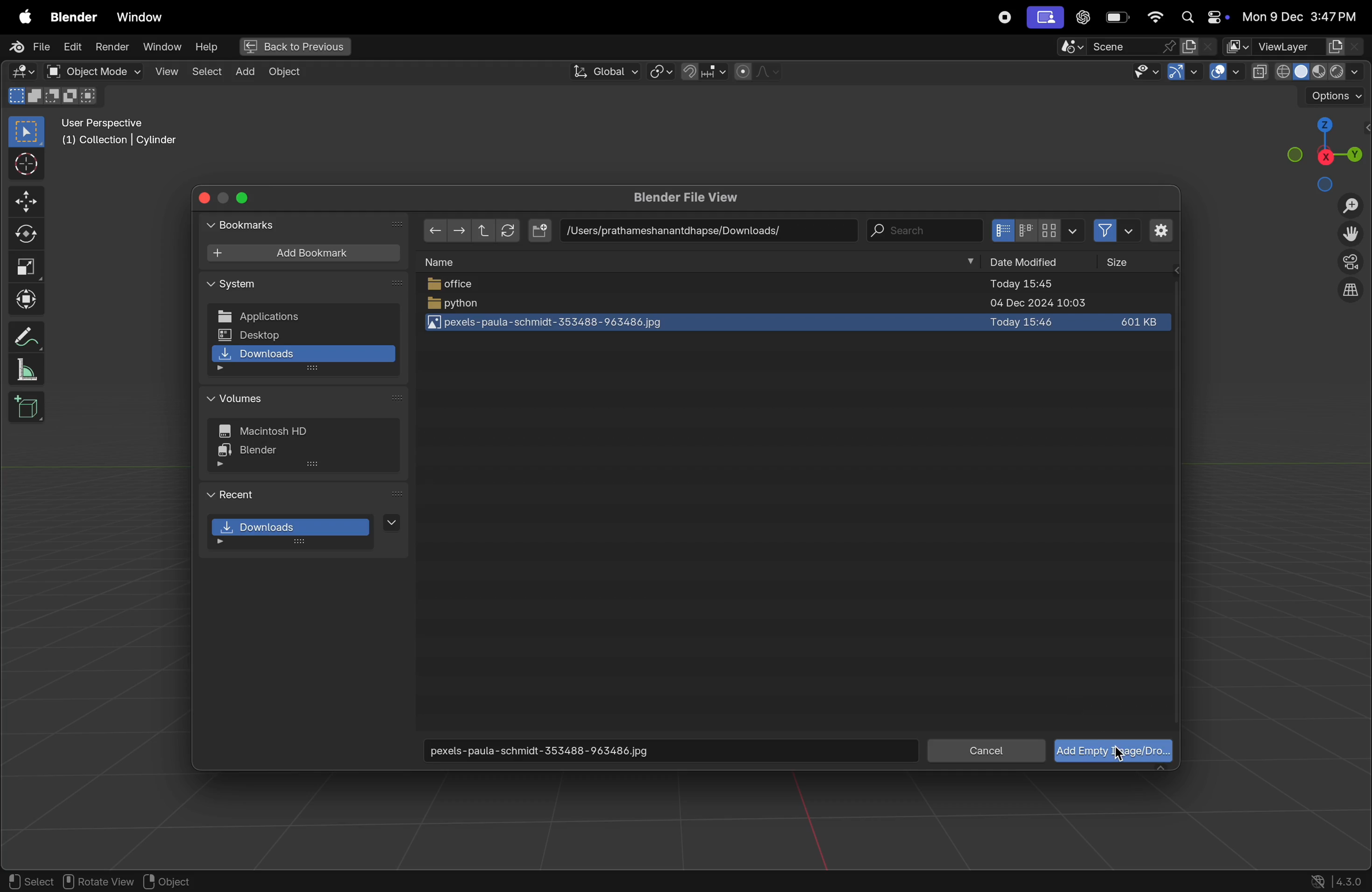 The width and height of the screenshot is (1372, 892). I want to click on options, so click(1333, 96).